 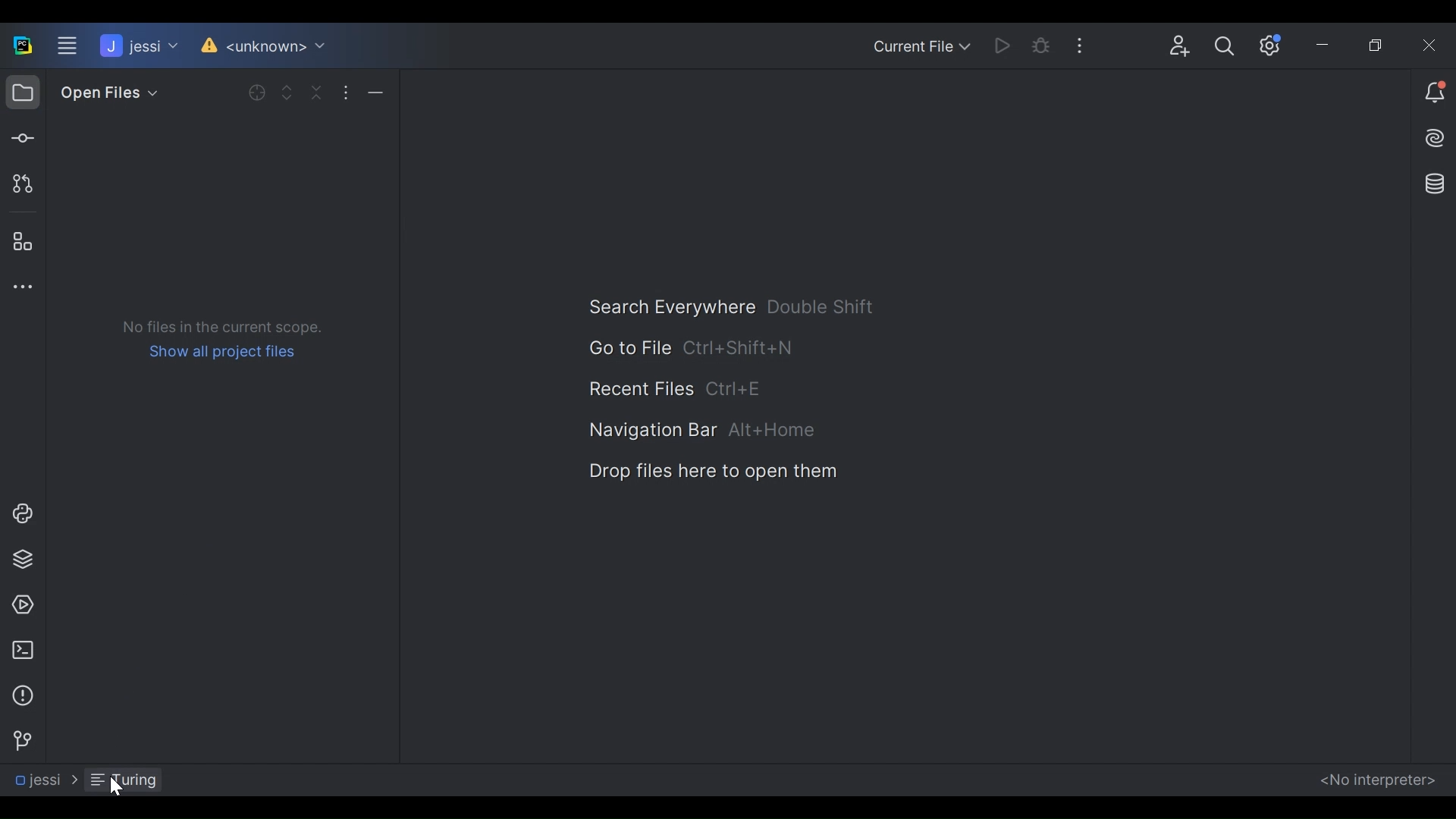 I want to click on No files in the current scope, so click(x=223, y=325).